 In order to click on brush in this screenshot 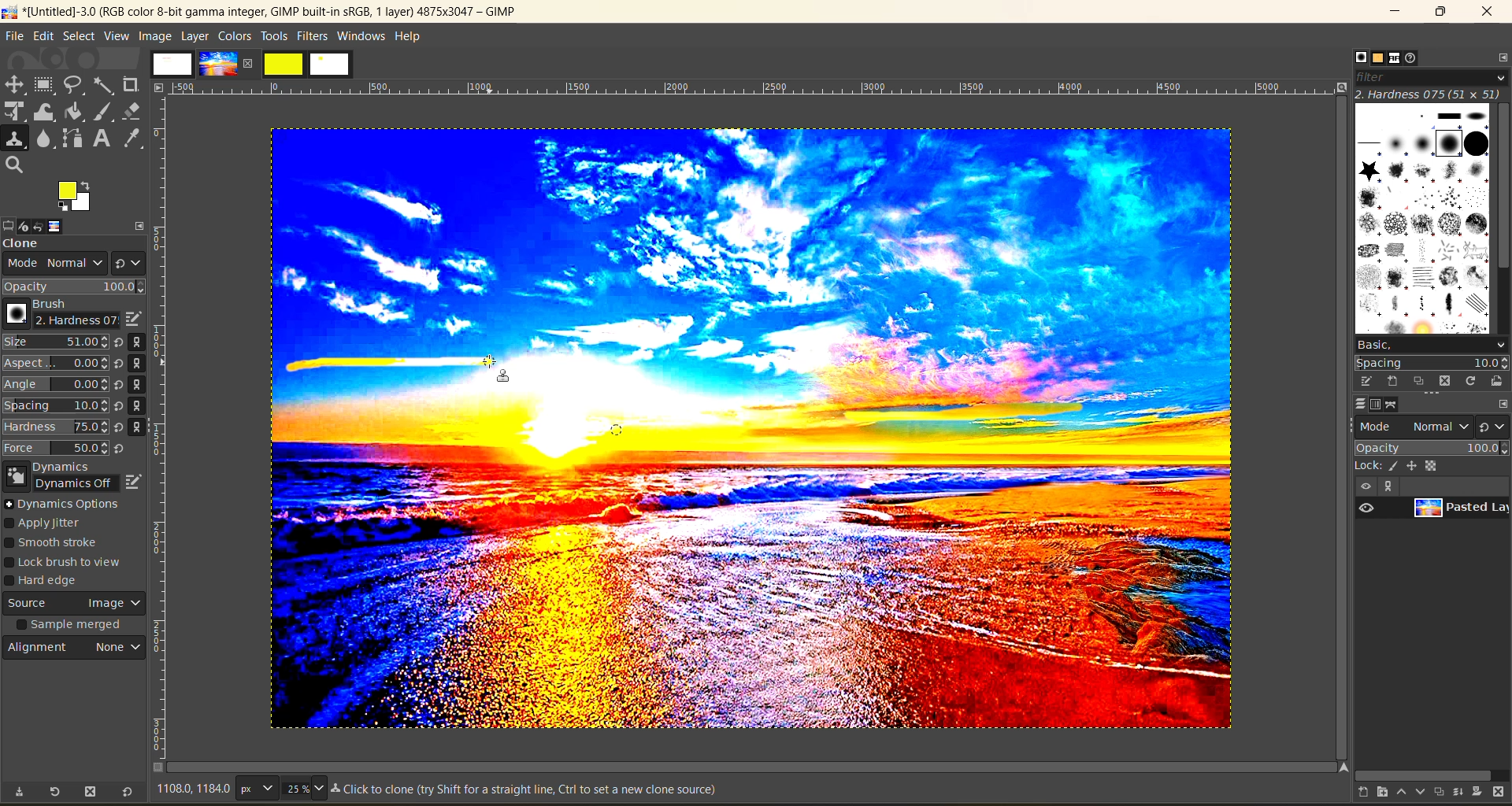, I will do `click(57, 314)`.